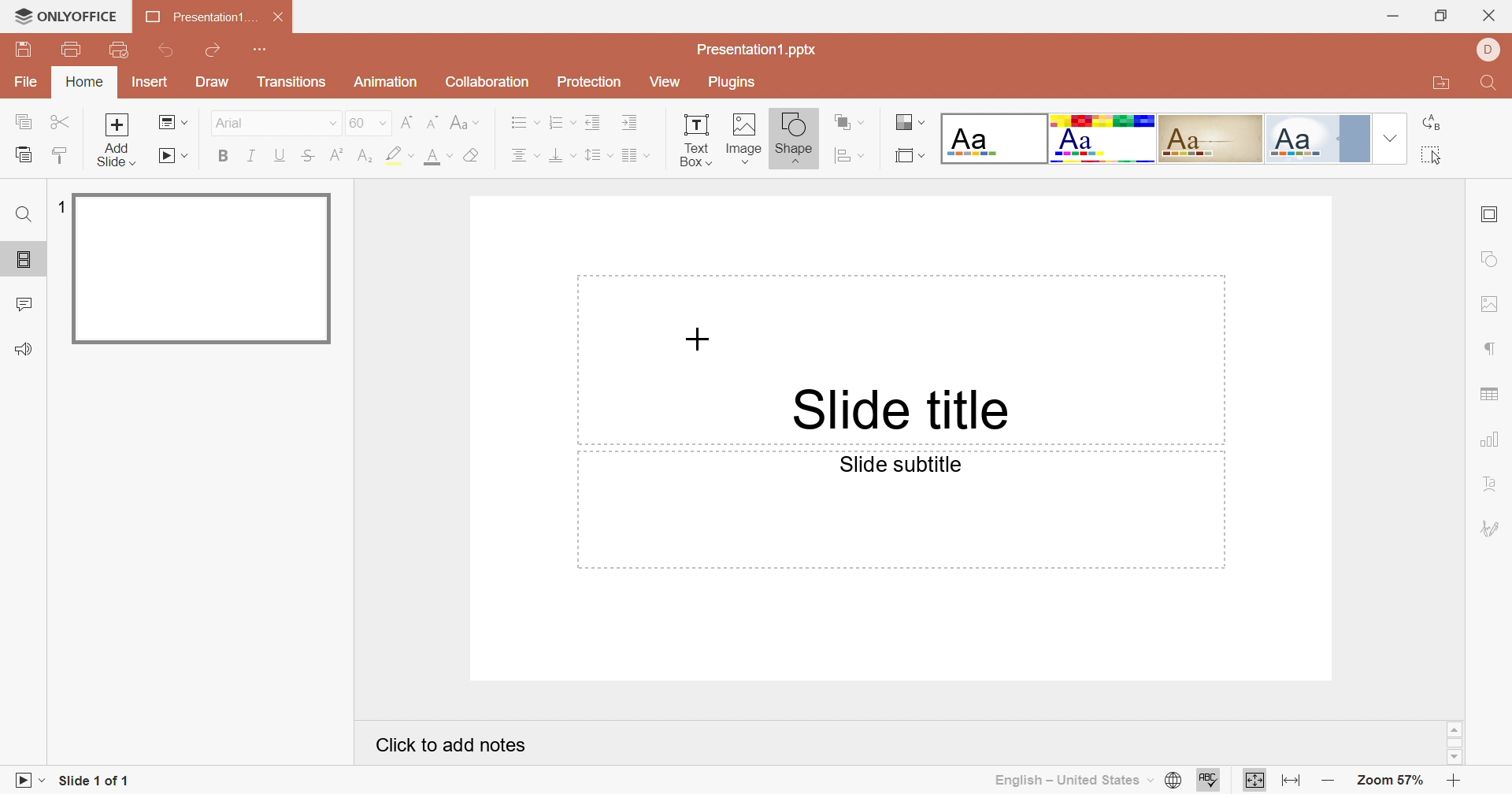  What do you see at coordinates (732, 82) in the screenshot?
I see `Plugins` at bounding box center [732, 82].